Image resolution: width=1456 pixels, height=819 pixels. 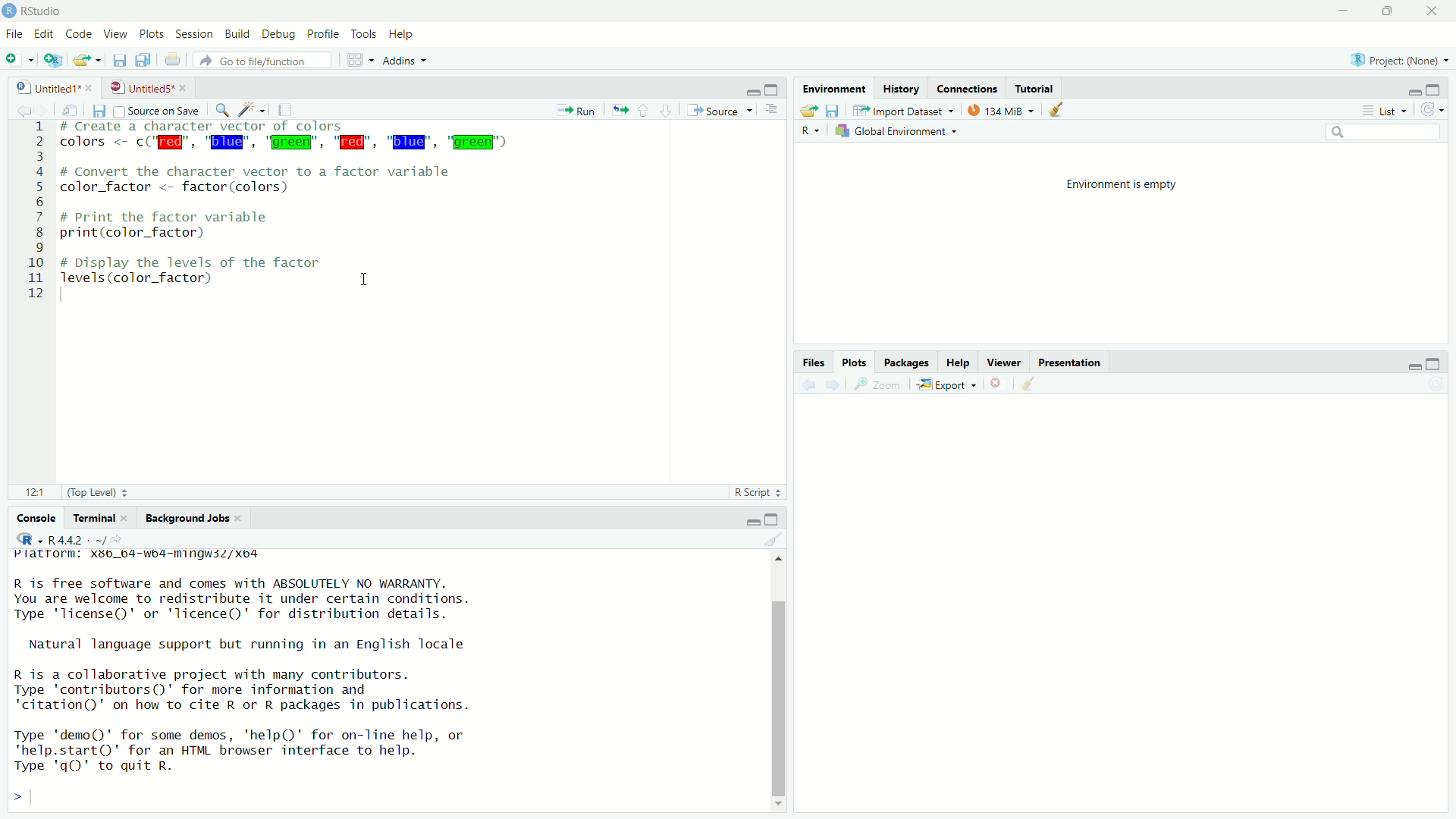 What do you see at coordinates (855, 359) in the screenshot?
I see `Plots` at bounding box center [855, 359].